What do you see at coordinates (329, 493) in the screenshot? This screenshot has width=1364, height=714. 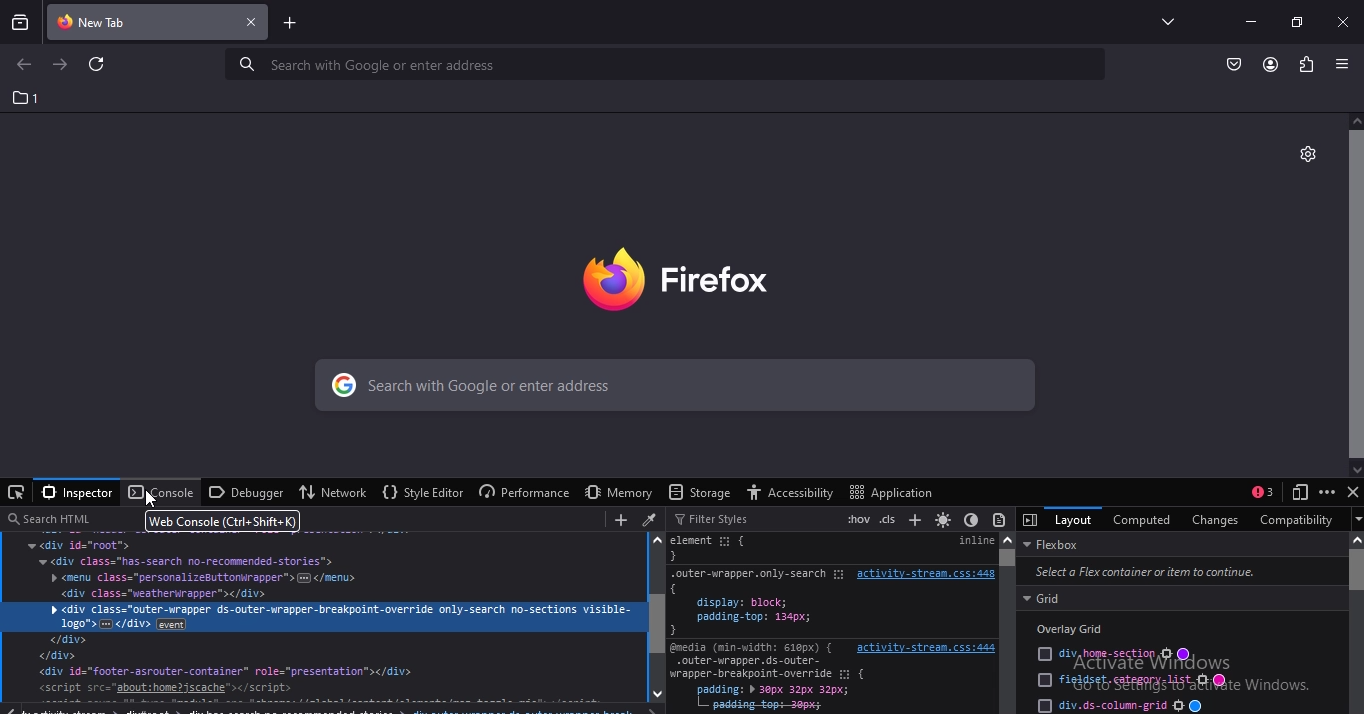 I see `network` at bounding box center [329, 493].